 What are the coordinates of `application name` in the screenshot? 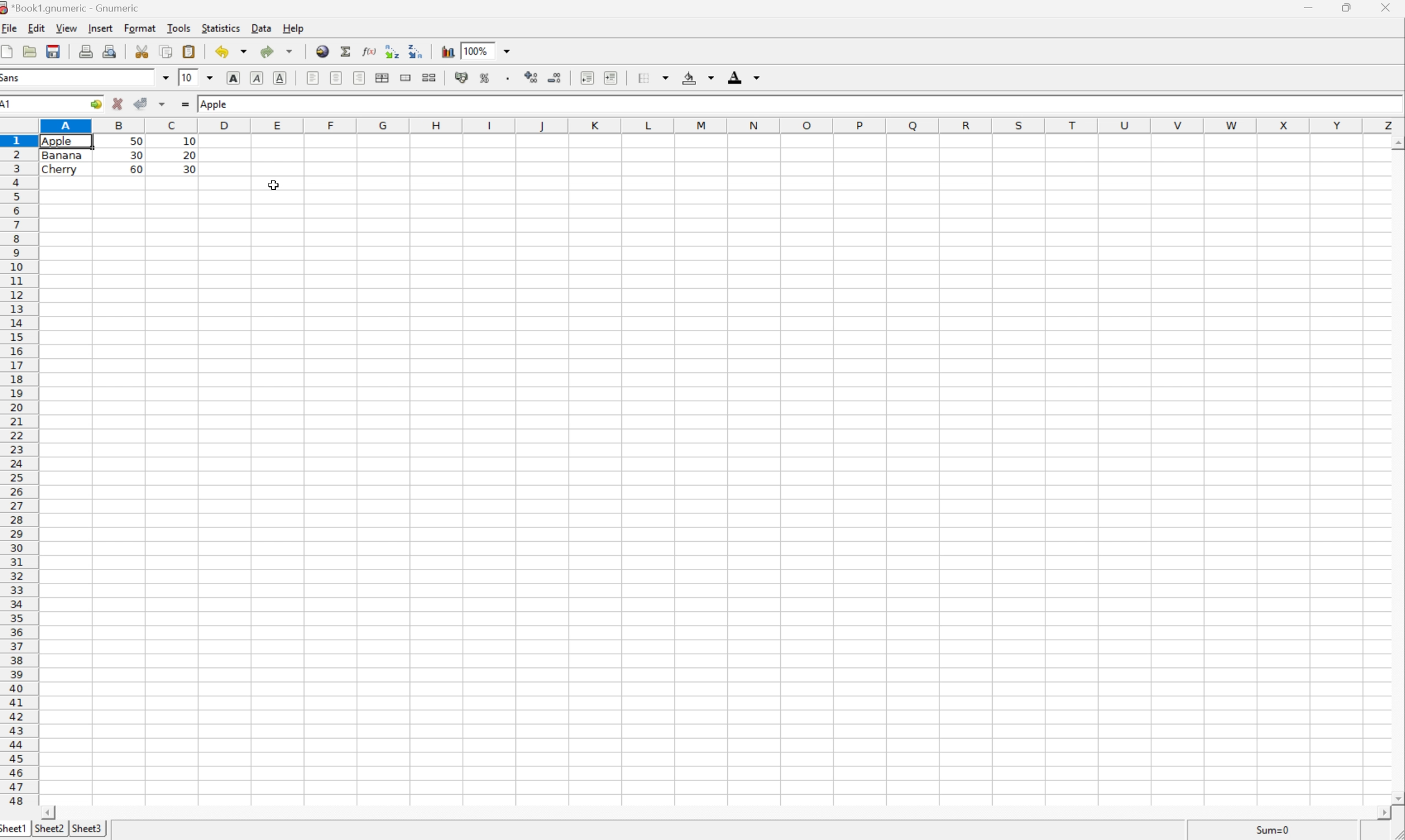 It's located at (70, 8).